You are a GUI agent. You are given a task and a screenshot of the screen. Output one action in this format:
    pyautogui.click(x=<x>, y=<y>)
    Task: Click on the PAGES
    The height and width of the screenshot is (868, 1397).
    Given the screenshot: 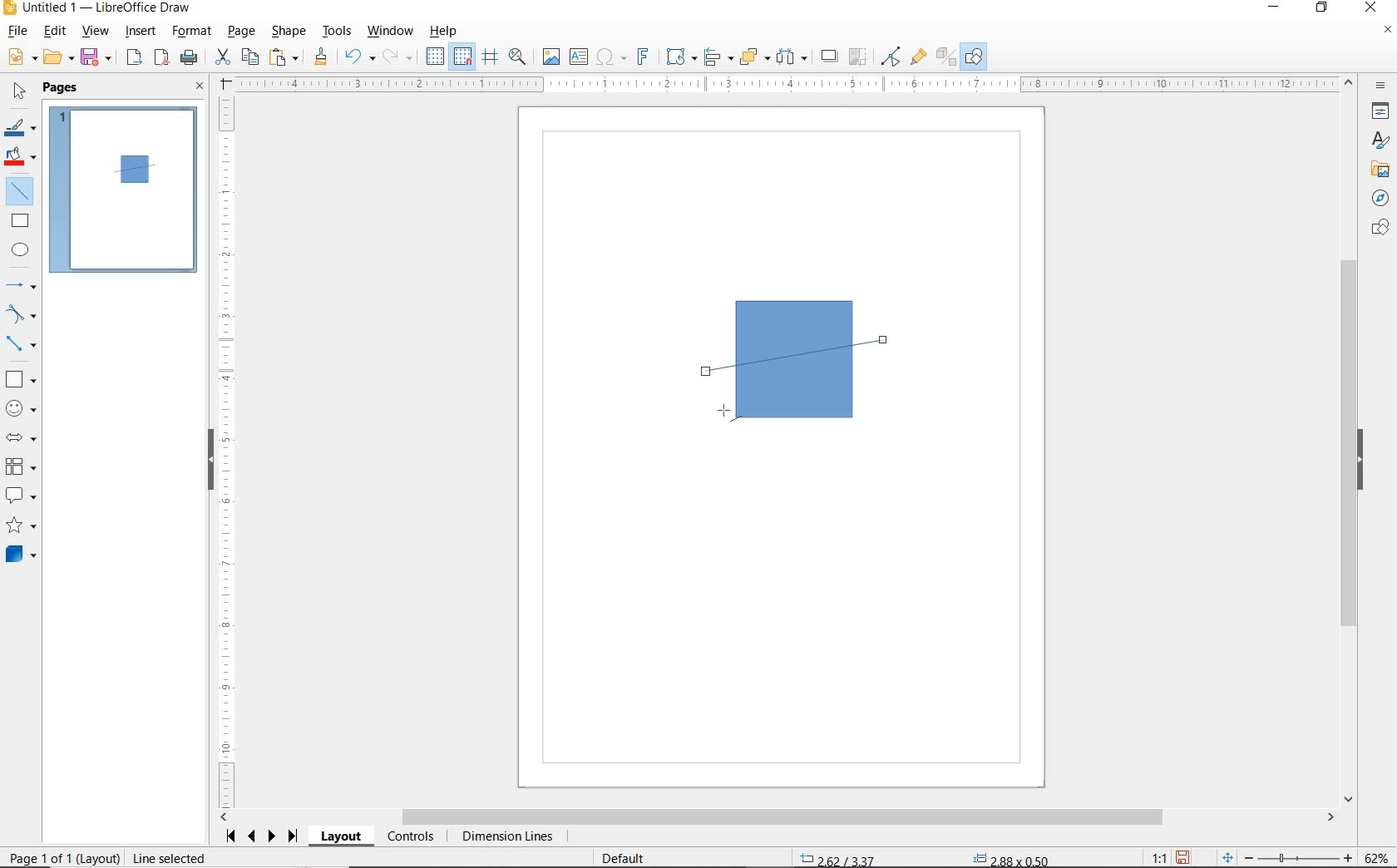 What is the action you would take?
    pyautogui.click(x=62, y=89)
    